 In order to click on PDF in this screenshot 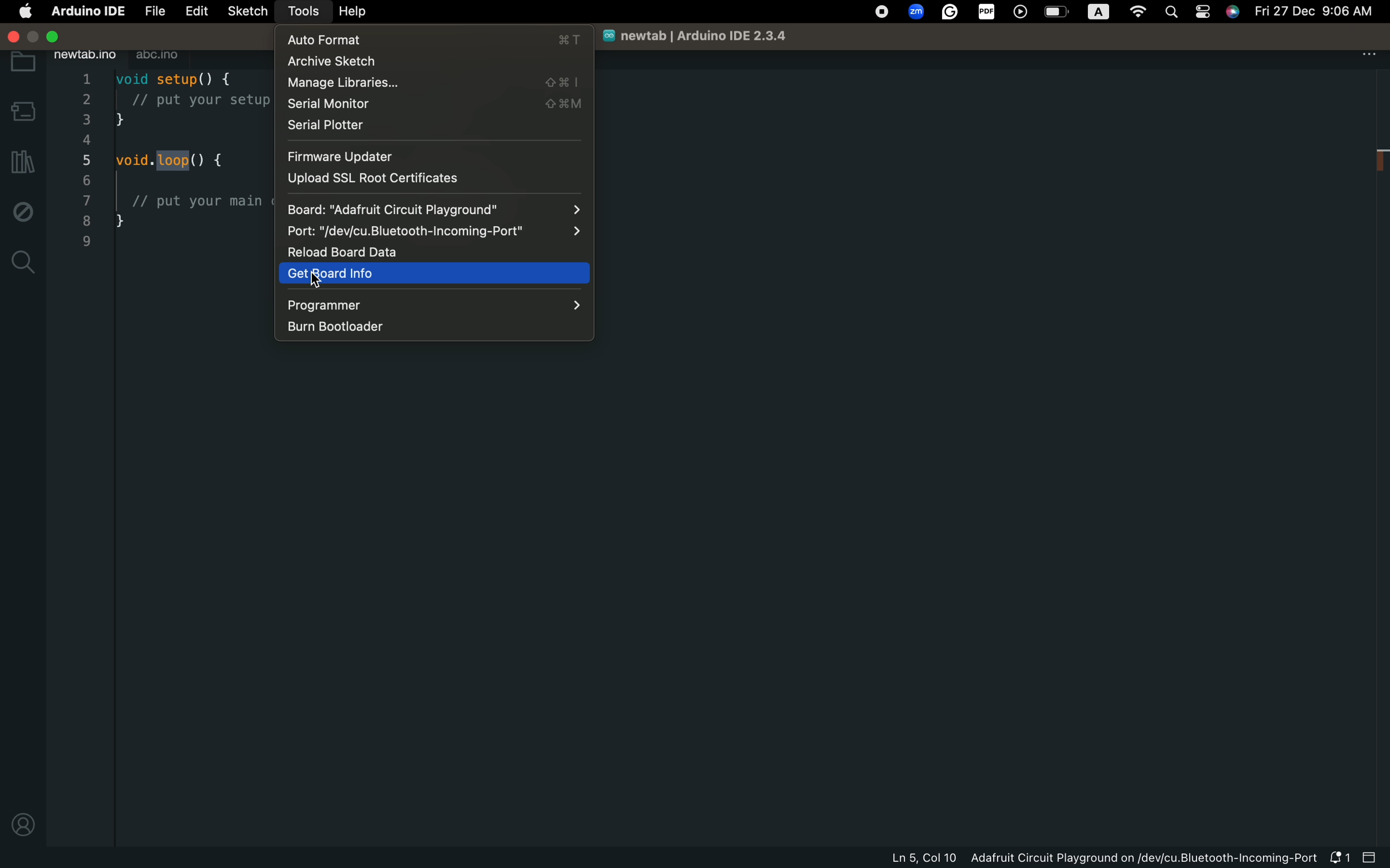, I will do `click(986, 12)`.